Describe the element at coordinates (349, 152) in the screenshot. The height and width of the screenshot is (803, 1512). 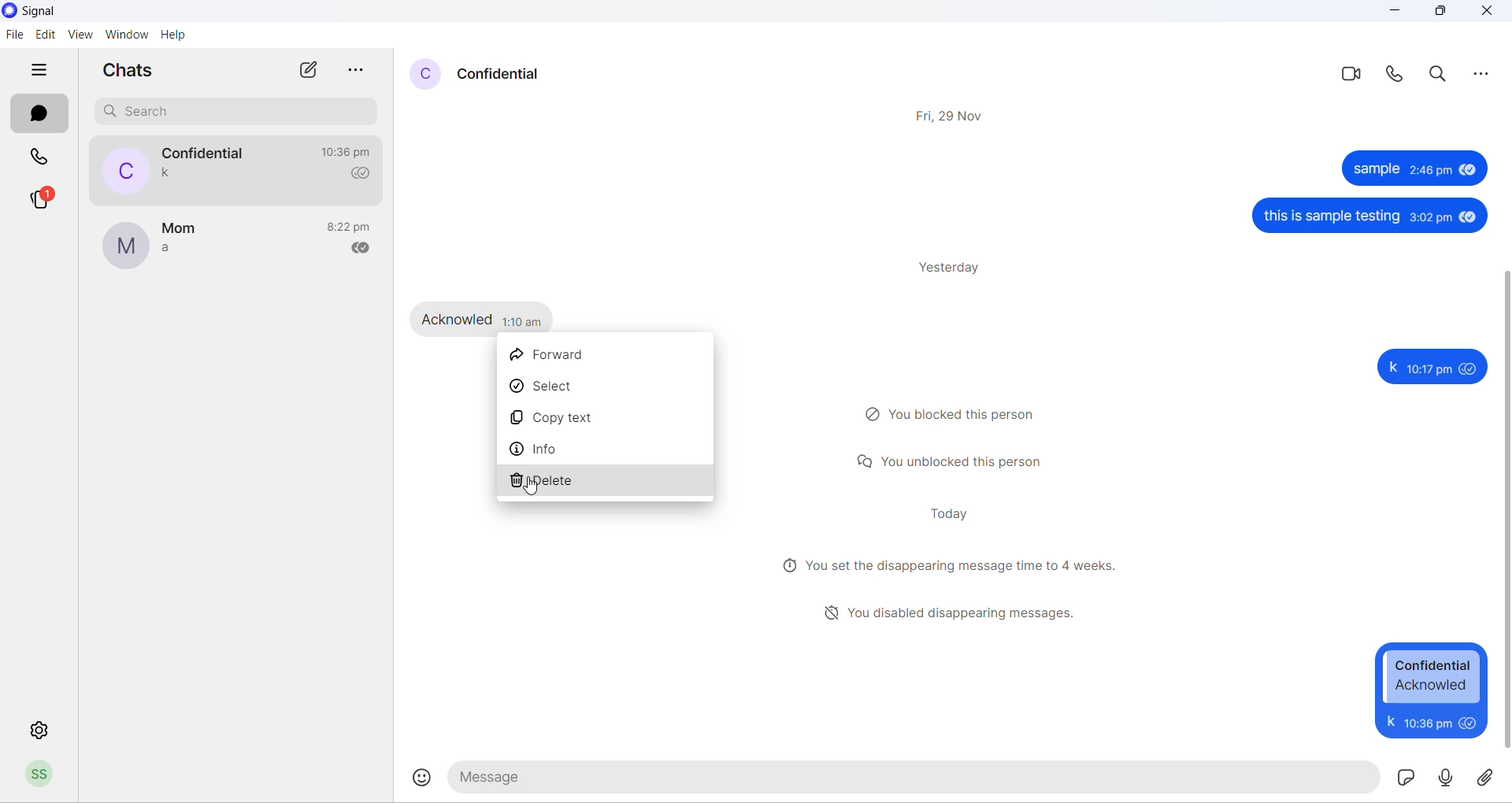
I see `last message time` at that location.